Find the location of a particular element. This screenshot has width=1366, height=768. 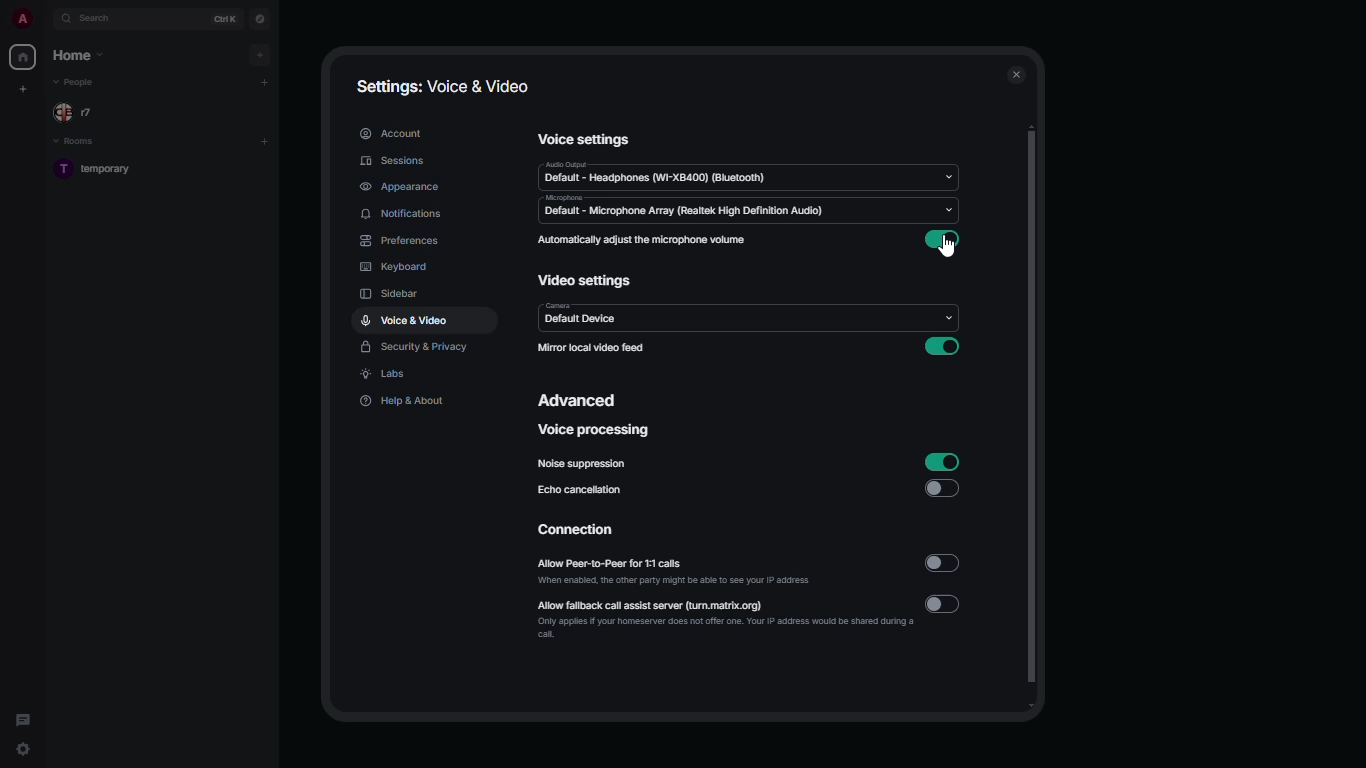

create new space is located at coordinates (24, 88).